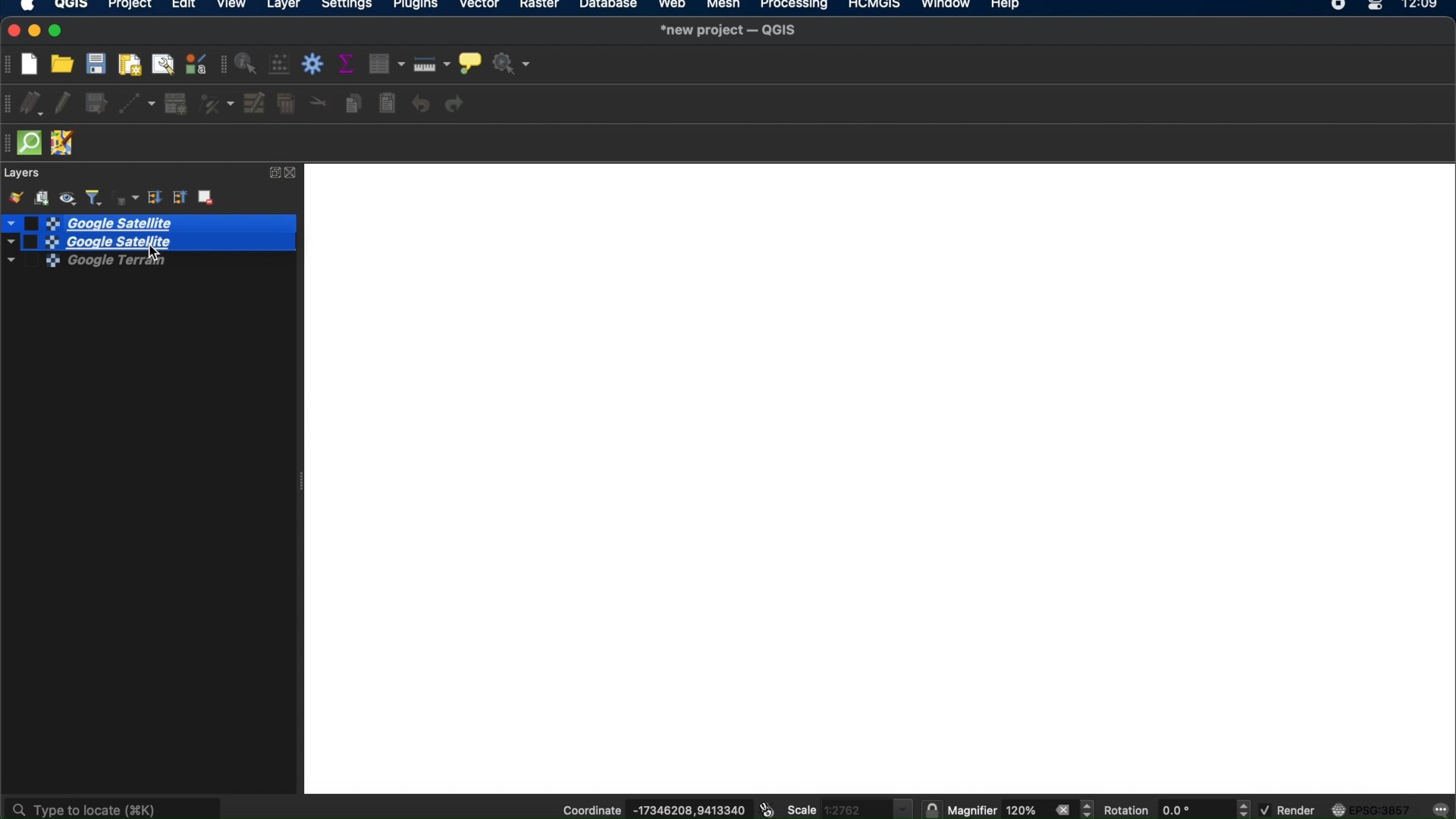 The height and width of the screenshot is (819, 1456). What do you see at coordinates (318, 102) in the screenshot?
I see `cut features` at bounding box center [318, 102].